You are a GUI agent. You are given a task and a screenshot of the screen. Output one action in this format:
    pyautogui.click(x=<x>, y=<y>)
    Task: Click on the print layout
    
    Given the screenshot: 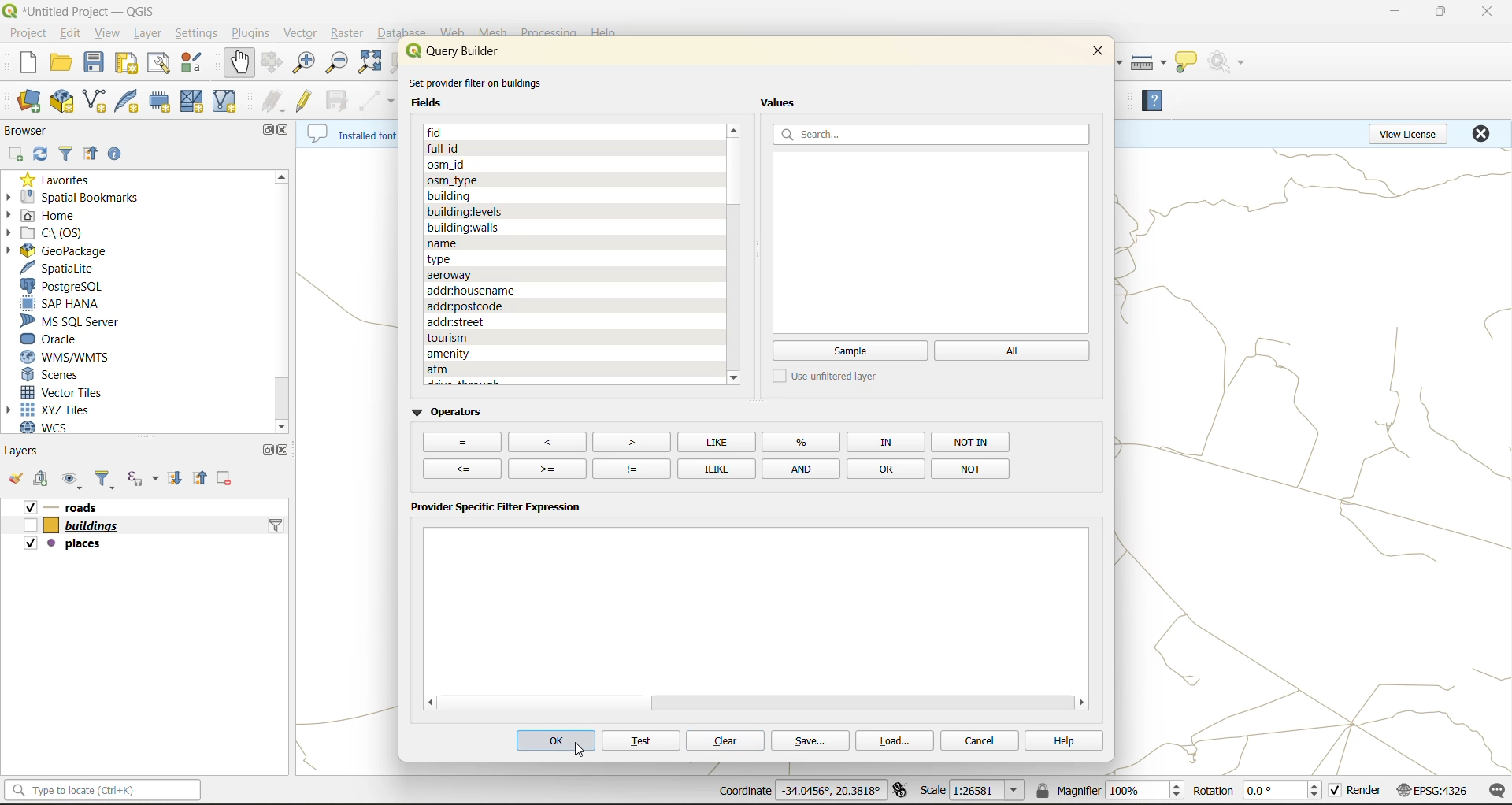 What is the action you would take?
    pyautogui.click(x=131, y=65)
    